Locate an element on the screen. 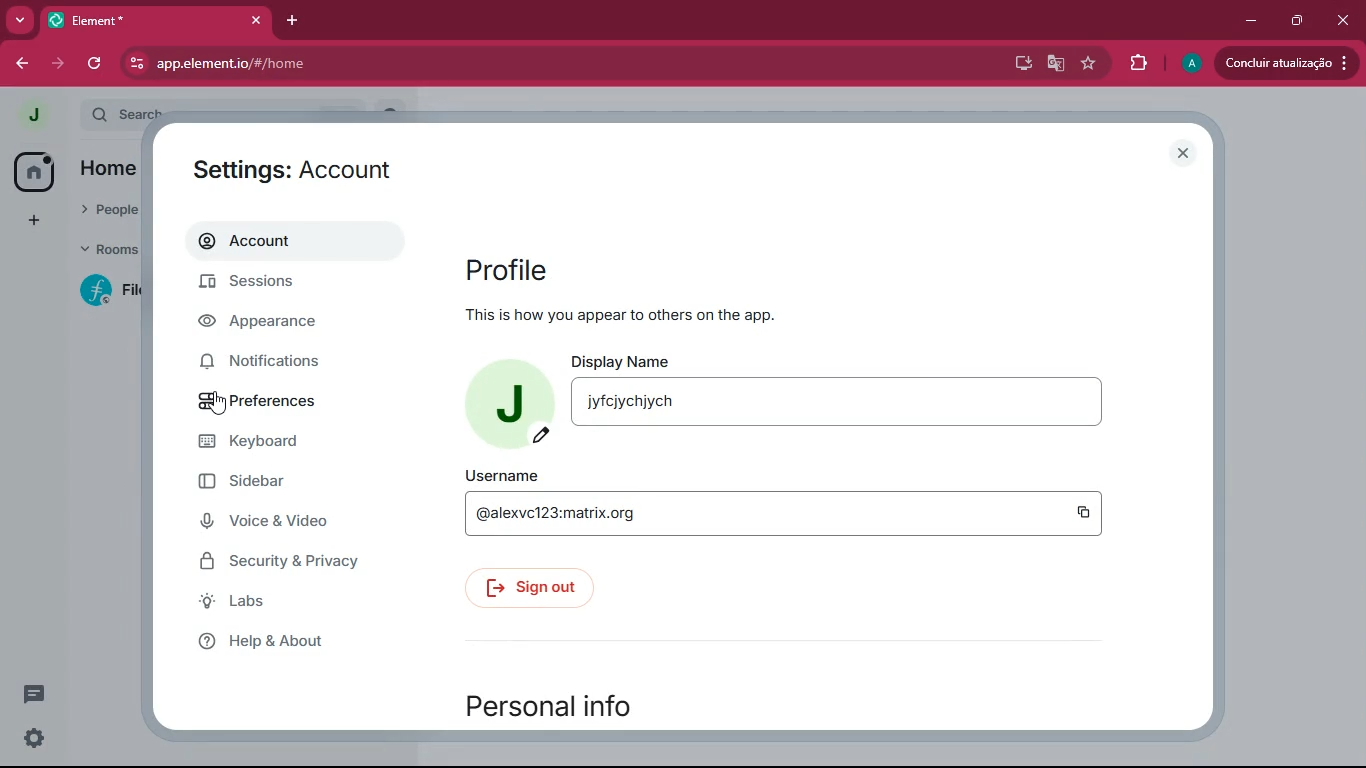  minimize is located at coordinates (1251, 21).